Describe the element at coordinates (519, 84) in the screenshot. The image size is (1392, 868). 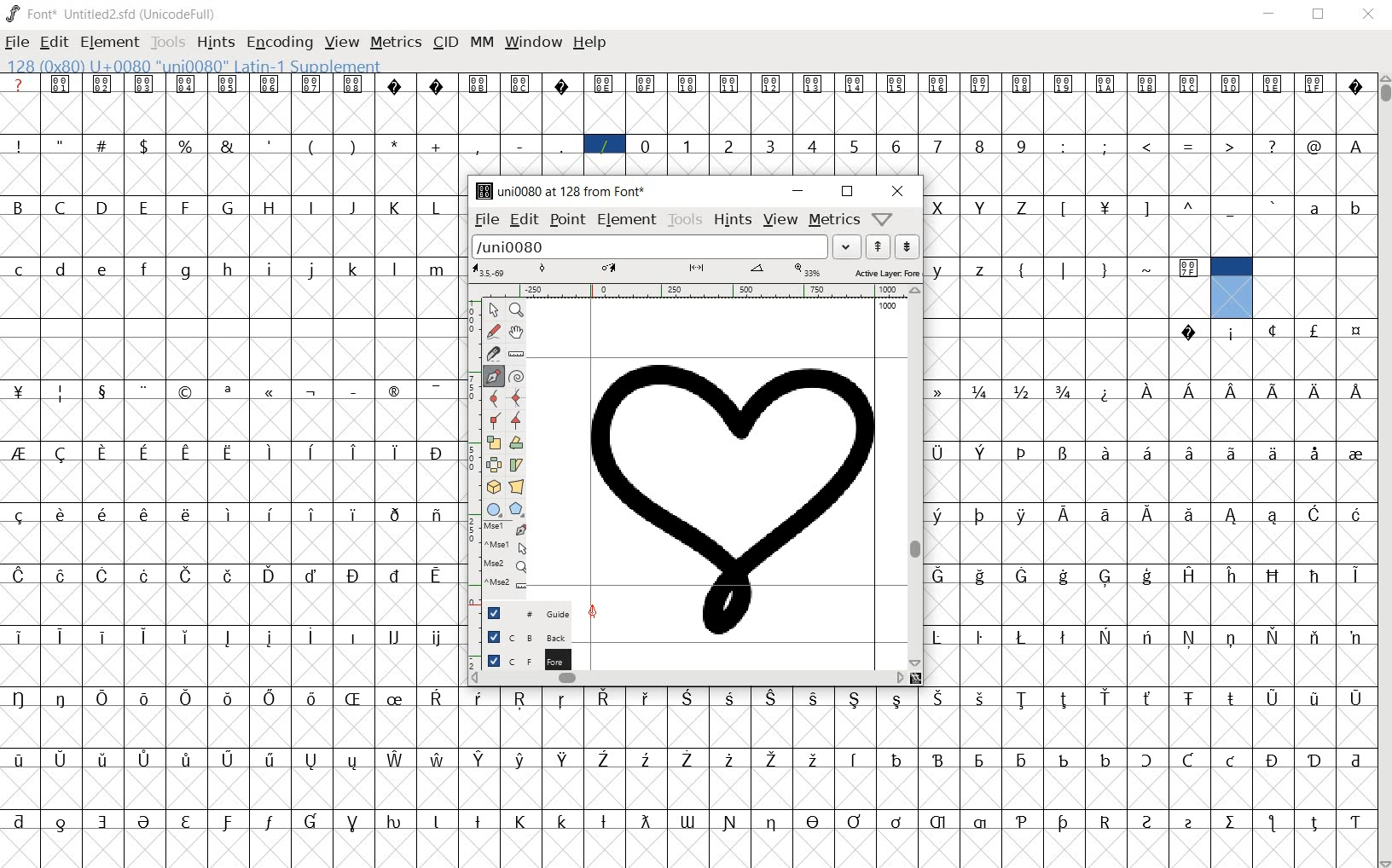
I see `glyph` at that location.